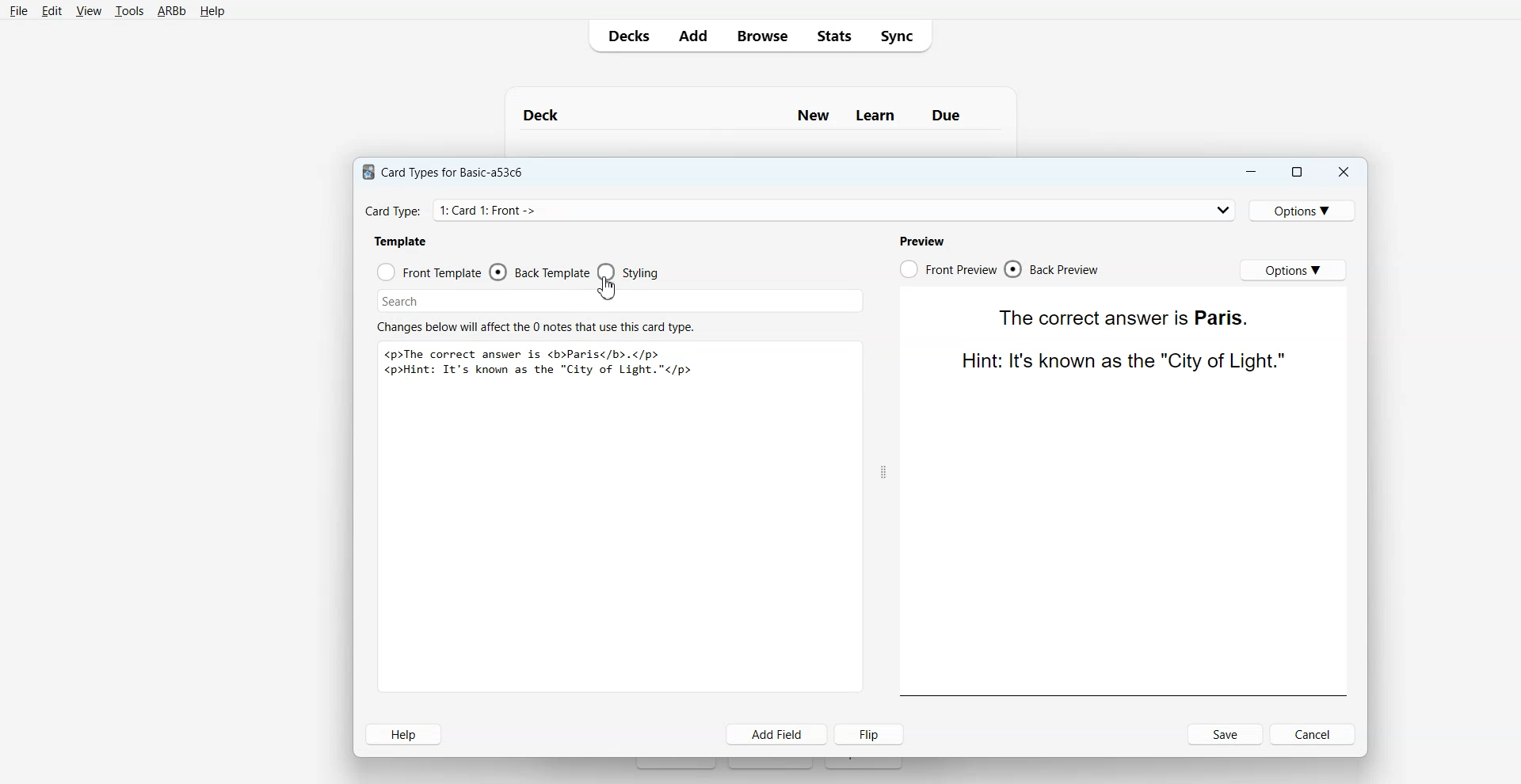 Image resolution: width=1521 pixels, height=784 pixels. I want to click on Cancel, so click(1315, 733).